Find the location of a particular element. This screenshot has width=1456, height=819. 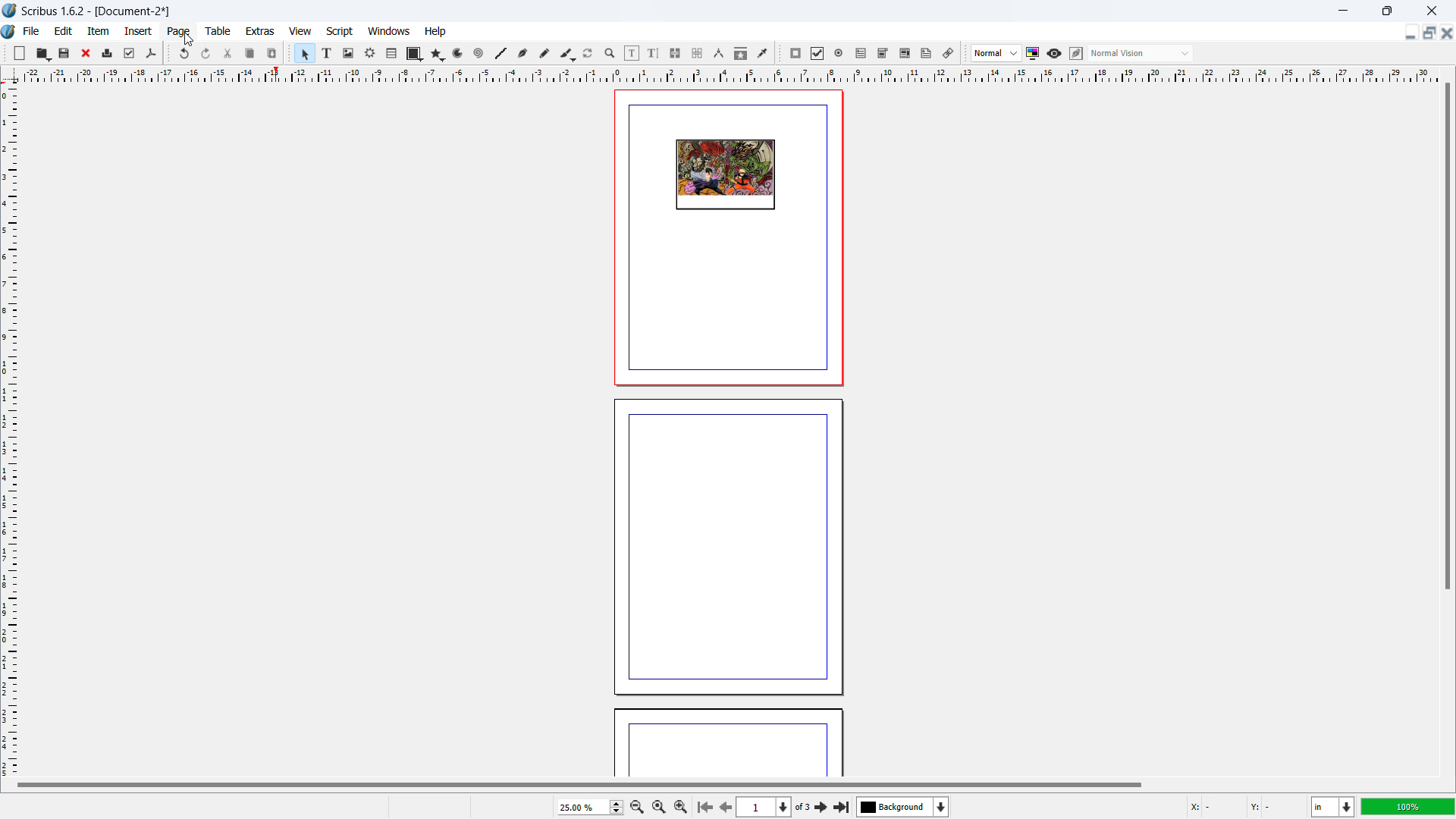

maximize window is located at coordinates (1385, 11).